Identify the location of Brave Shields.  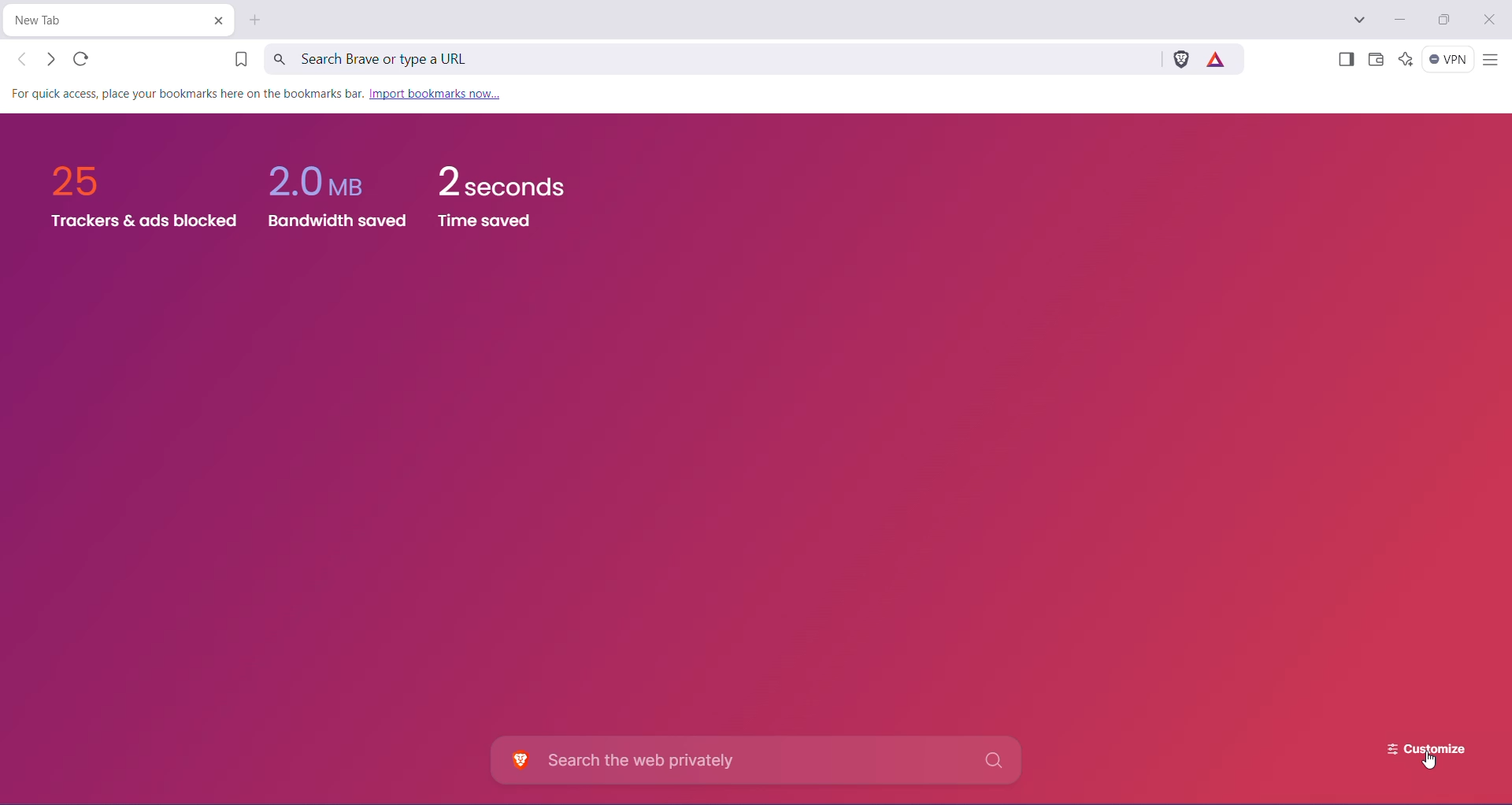
(1180, 58).